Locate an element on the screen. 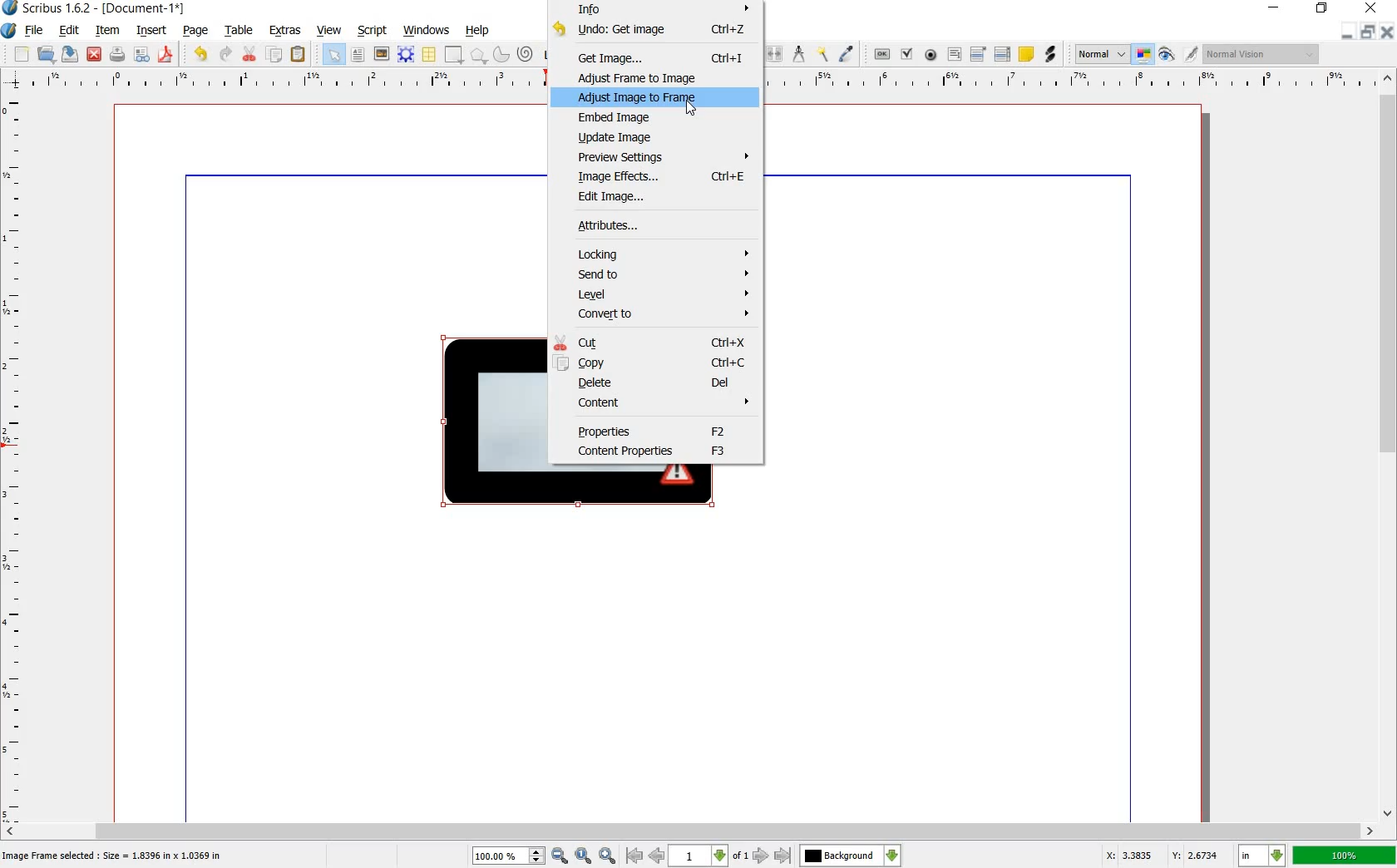  adjust image to frame is located at coordinates (649, 99).